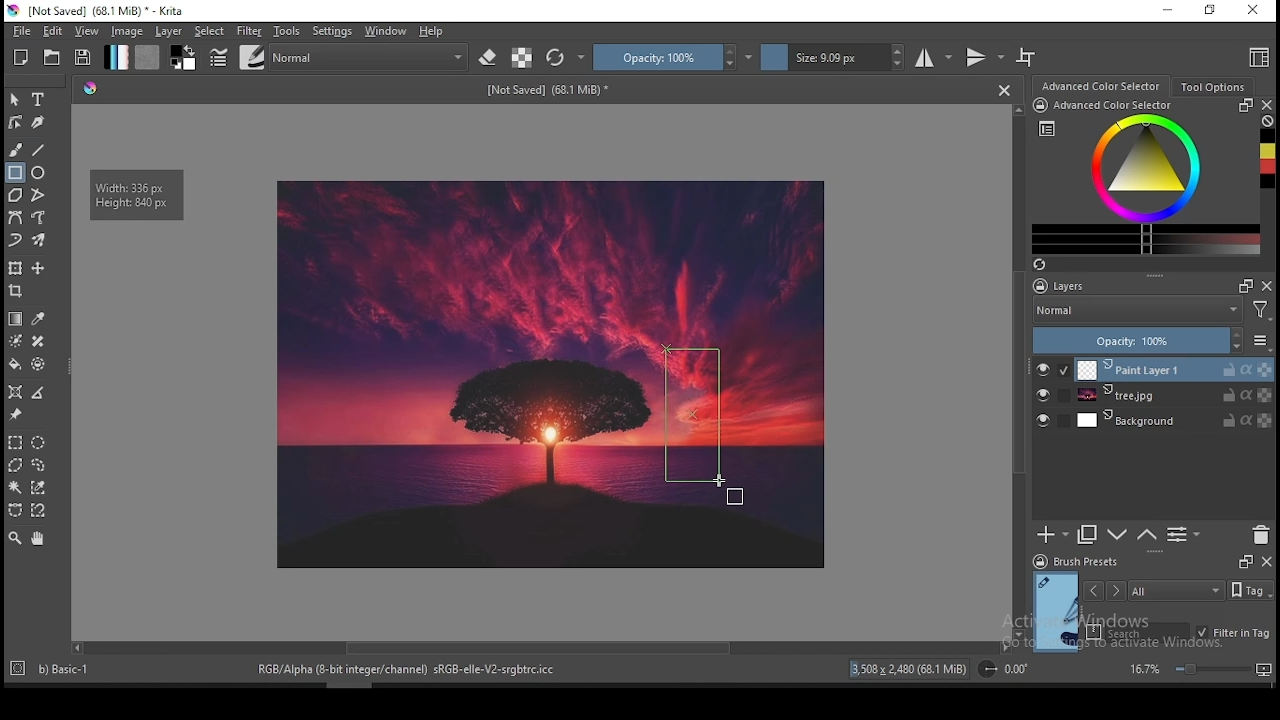  Describe the element at coordinates (54, 57) in the screenshot. I see `open` at that location.